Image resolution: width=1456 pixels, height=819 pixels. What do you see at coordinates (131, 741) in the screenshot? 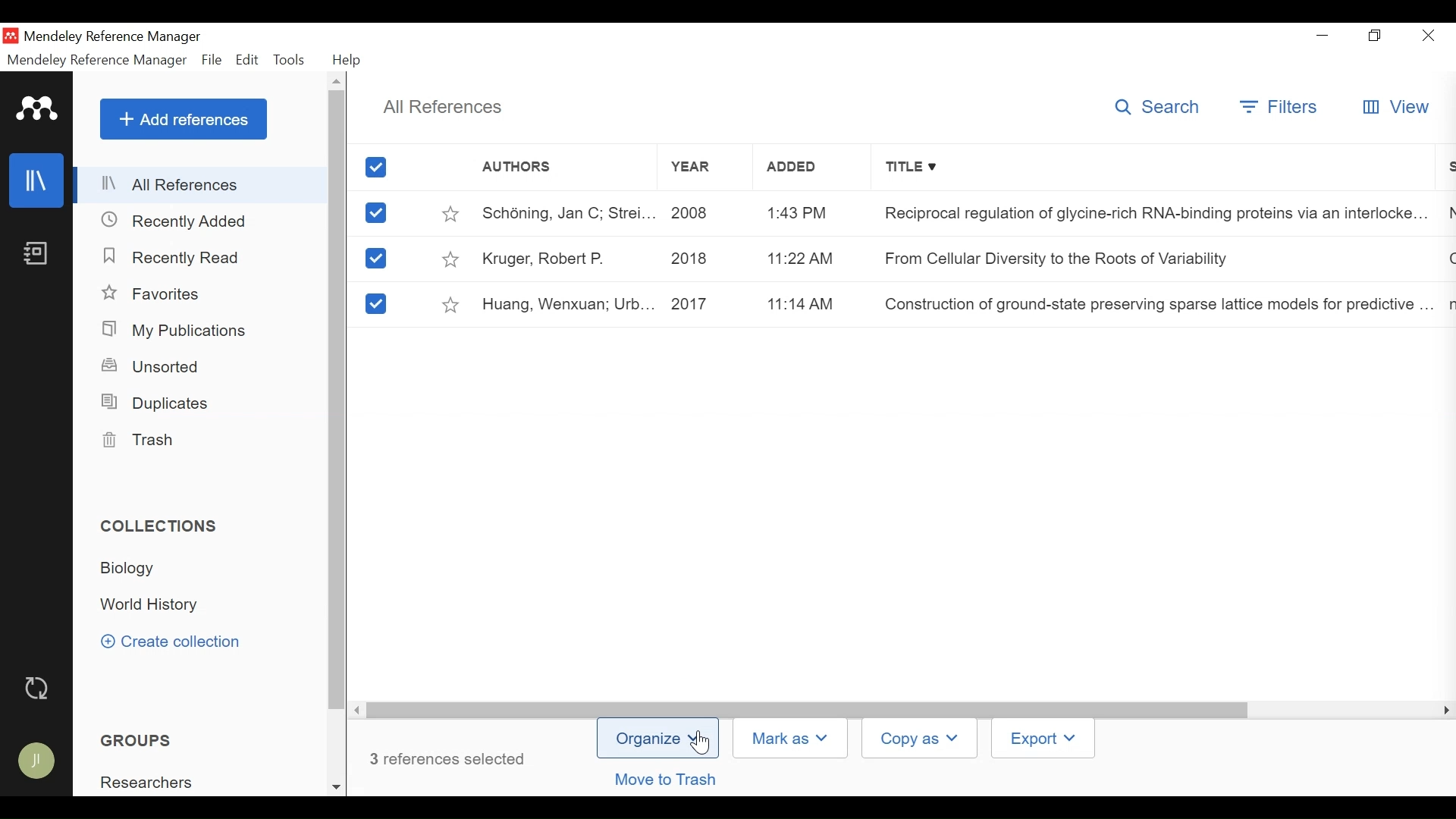
I see `Groups ` at bounding box center [131, 741].